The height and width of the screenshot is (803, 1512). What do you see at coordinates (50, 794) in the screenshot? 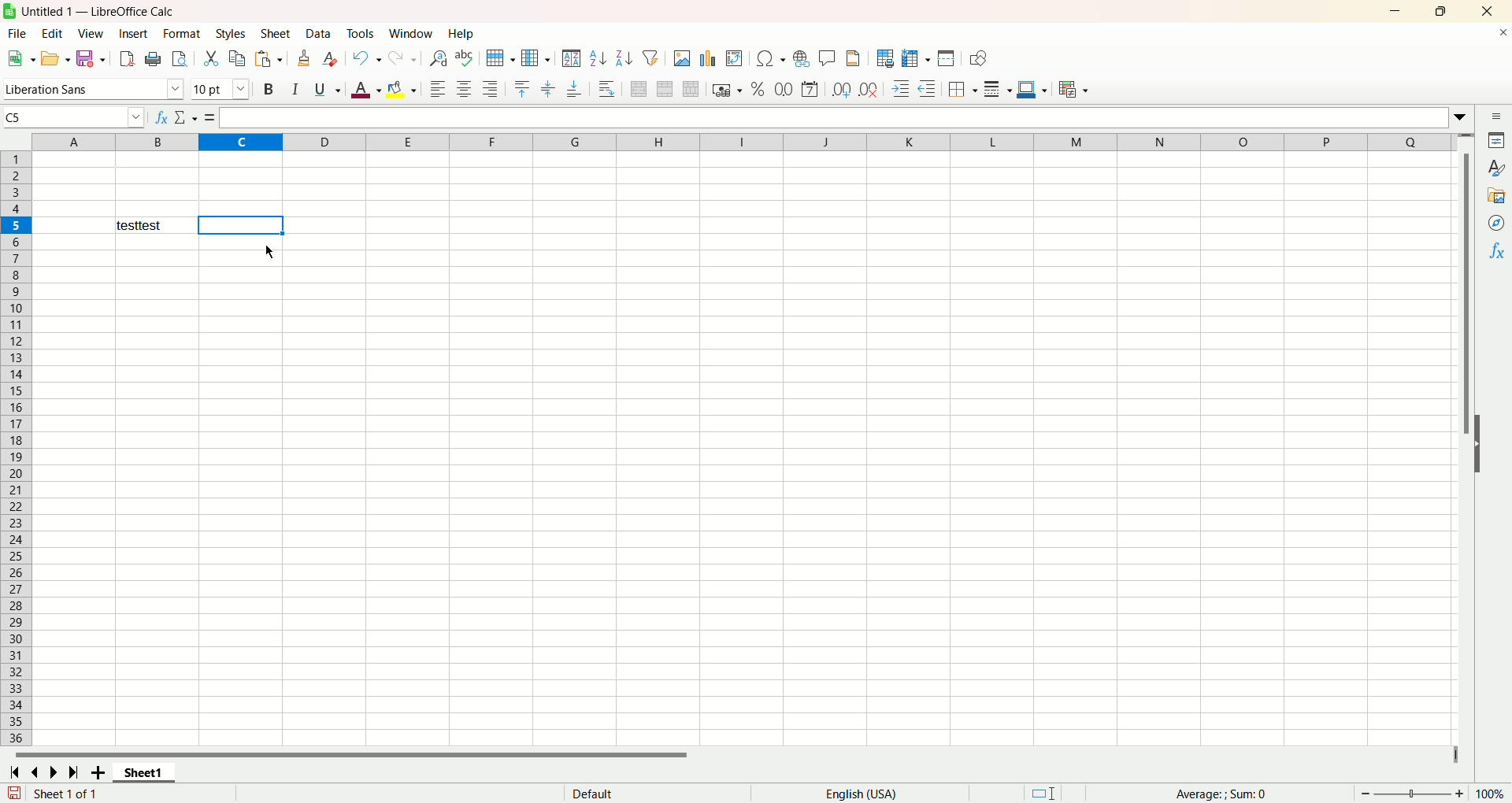
I see `sheet number` at bounding box center [50, 794].